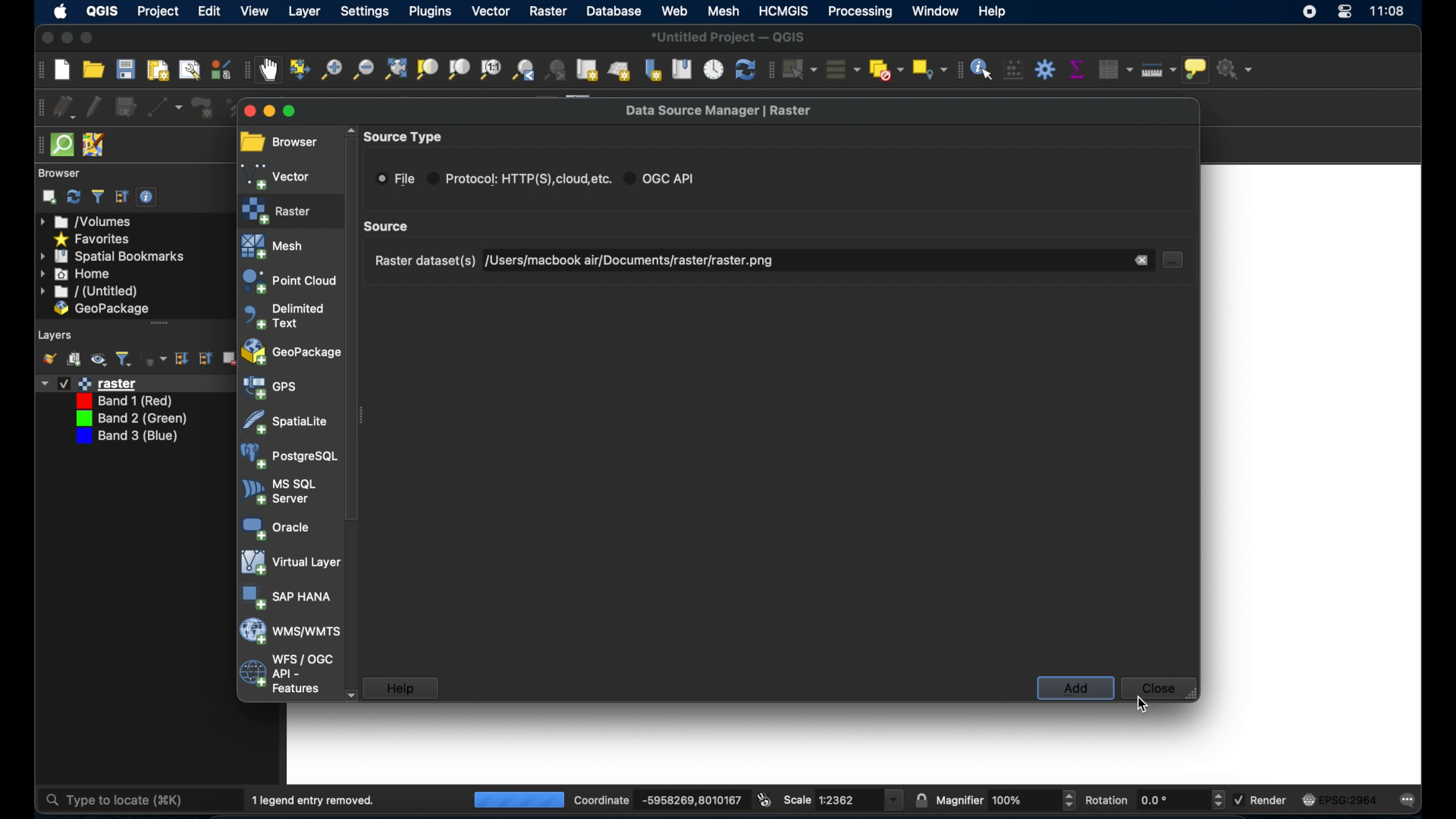 This screenshot has height=819, width=1456. What do you see at coordinates (1217, 800) in the screenshot?
I see `Increase or decrease` at bounding box center [1217, 800].